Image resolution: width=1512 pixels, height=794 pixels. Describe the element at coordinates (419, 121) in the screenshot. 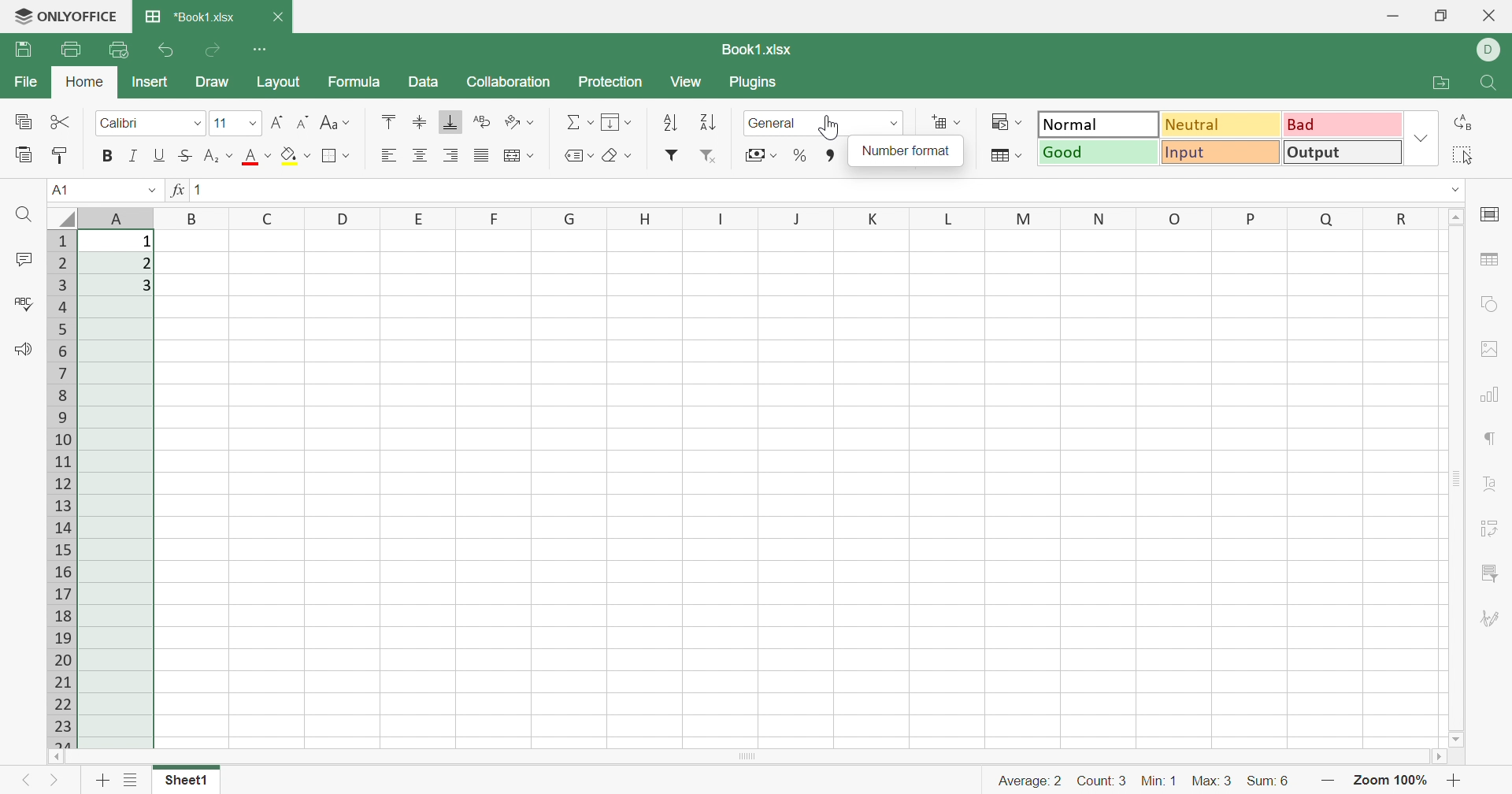

I see `Align middle` at that location.